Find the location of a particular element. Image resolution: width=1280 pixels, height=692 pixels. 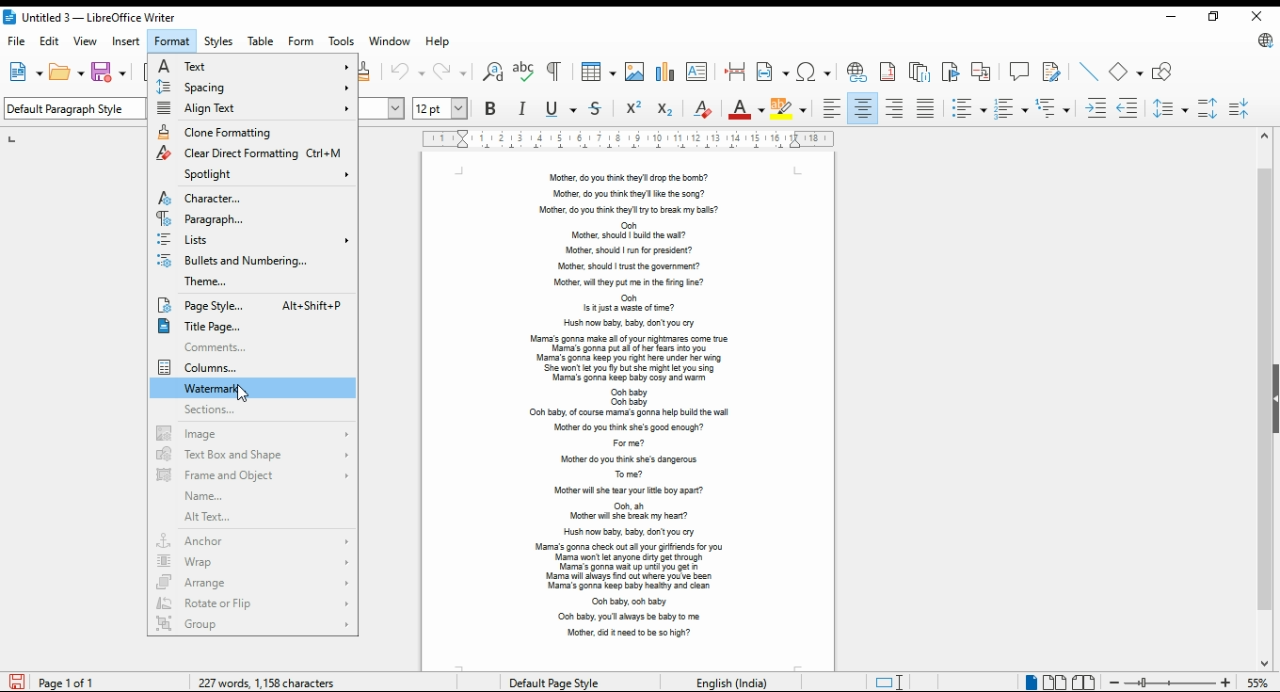

check spelling is located at coordinates (527, 72).